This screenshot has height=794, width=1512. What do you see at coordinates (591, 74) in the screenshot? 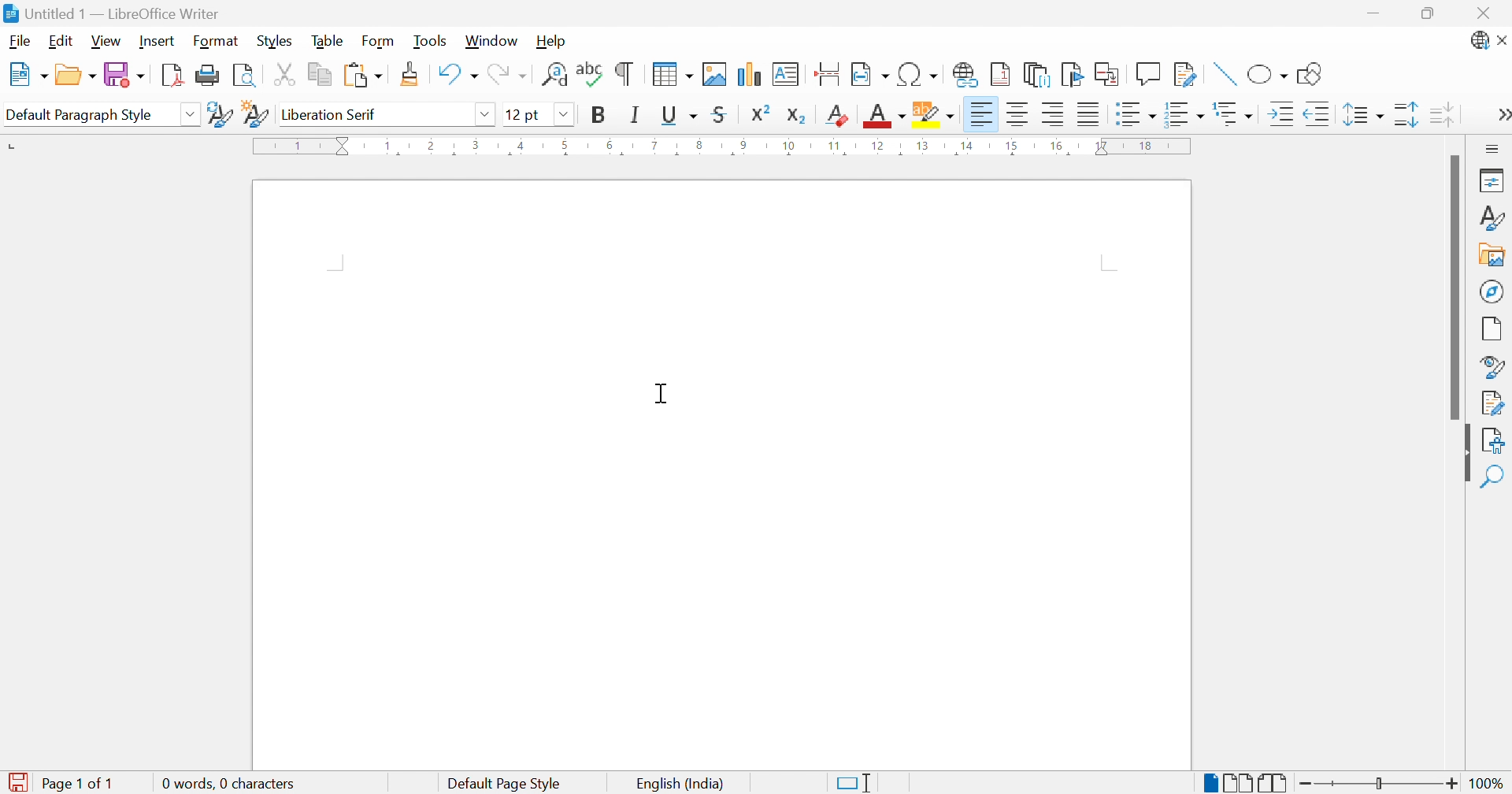
I see `Check spelling` at bounding box center [591, 74].